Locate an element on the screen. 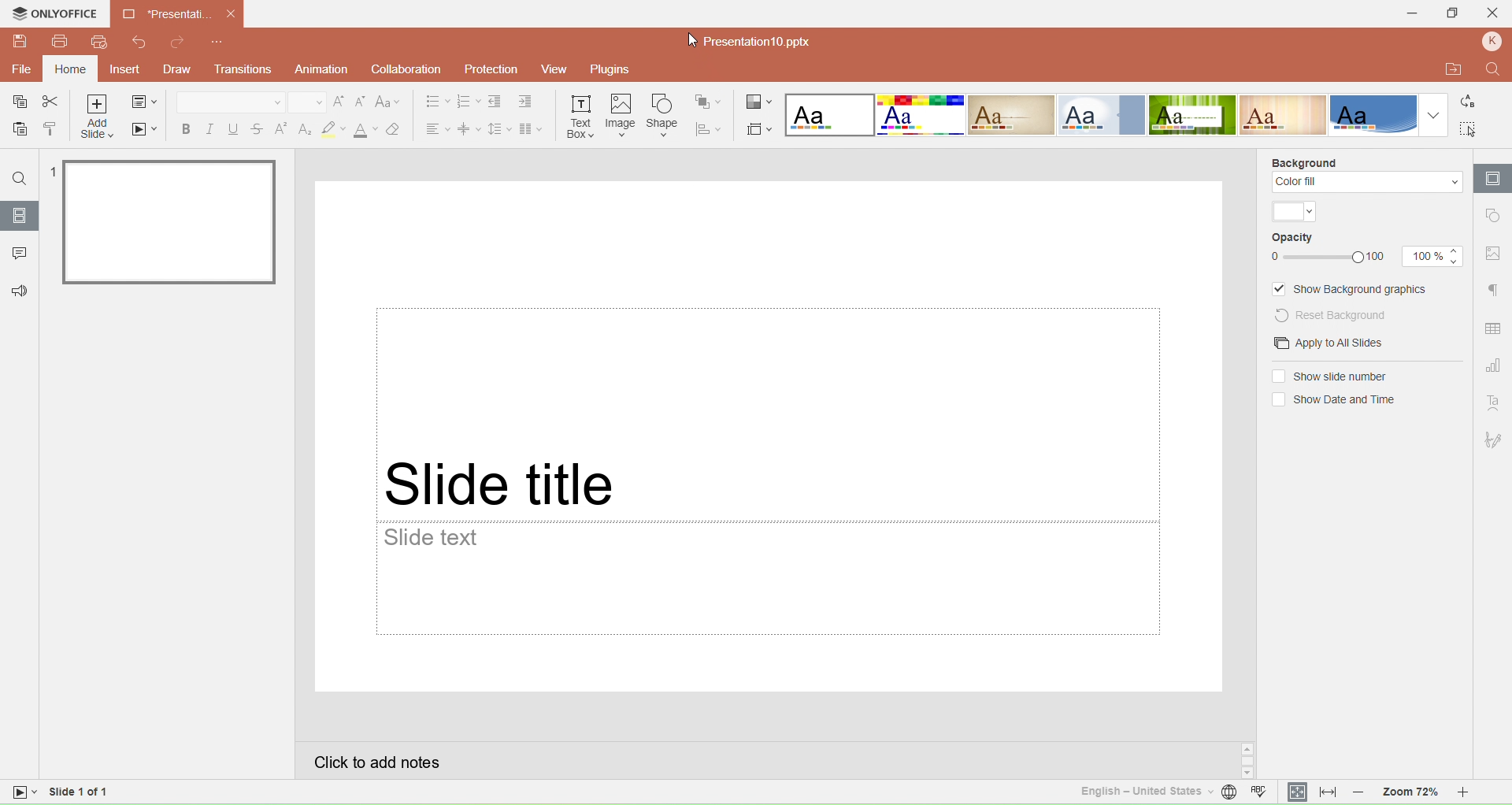 This screenshot has width=1512, height=805. Paragraph setting is located at coordinates (1493, 291).